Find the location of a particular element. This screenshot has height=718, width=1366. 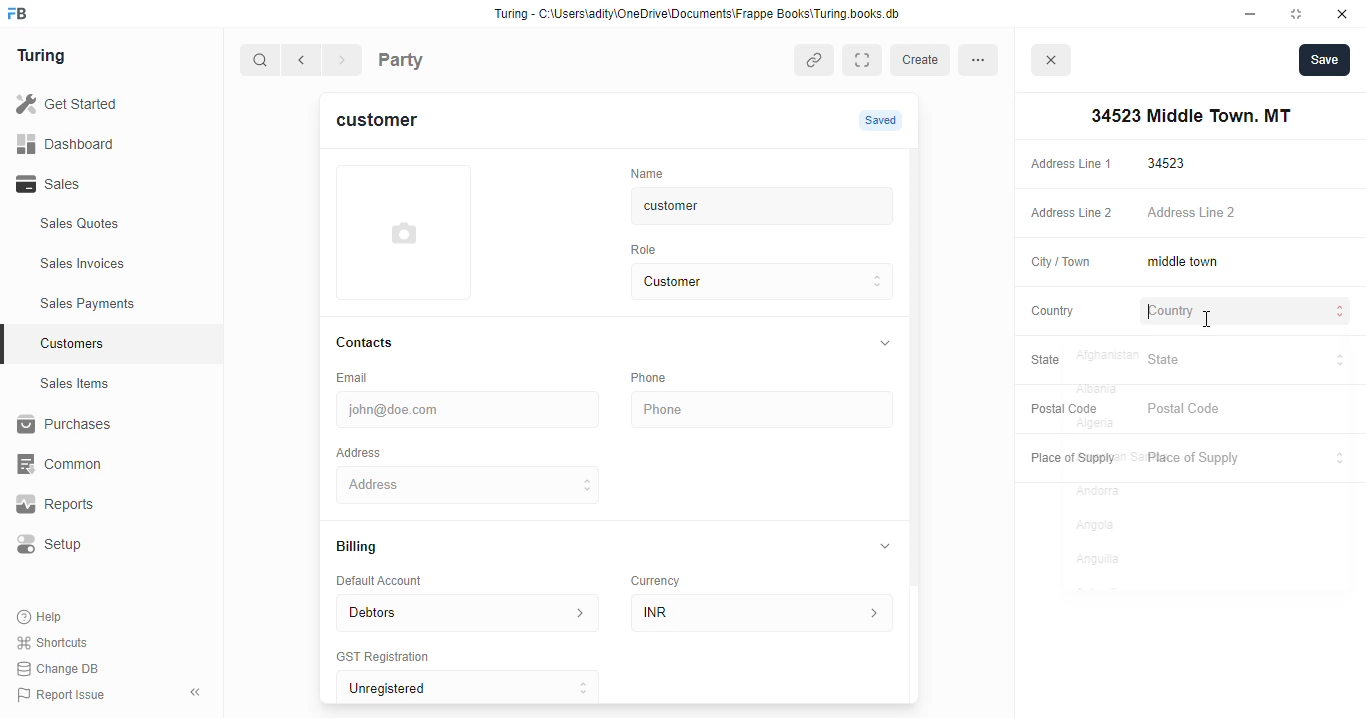

Phone is located at coordinates (660, 377).